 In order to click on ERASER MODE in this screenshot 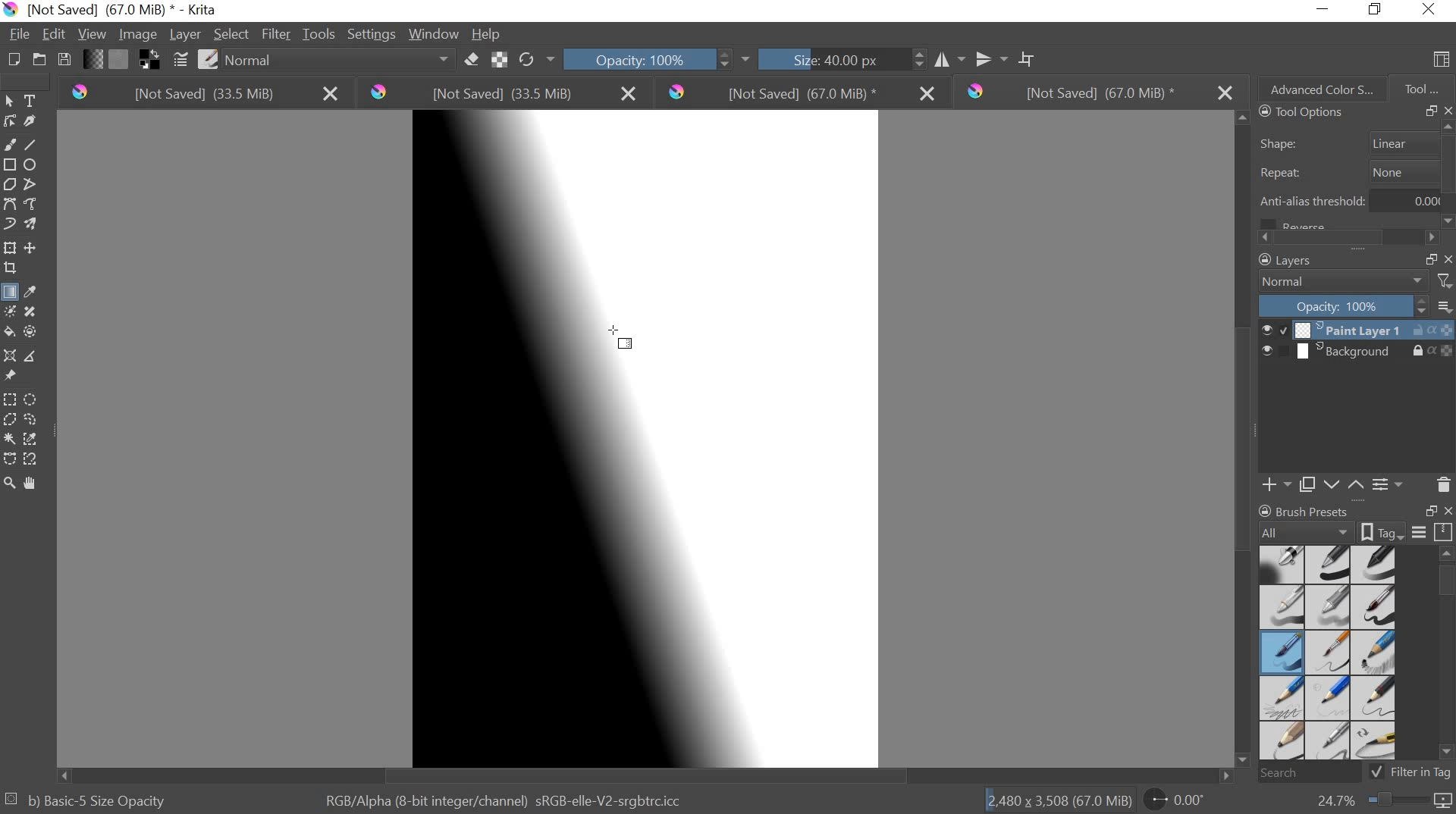, I will do `click(470, 61)`.